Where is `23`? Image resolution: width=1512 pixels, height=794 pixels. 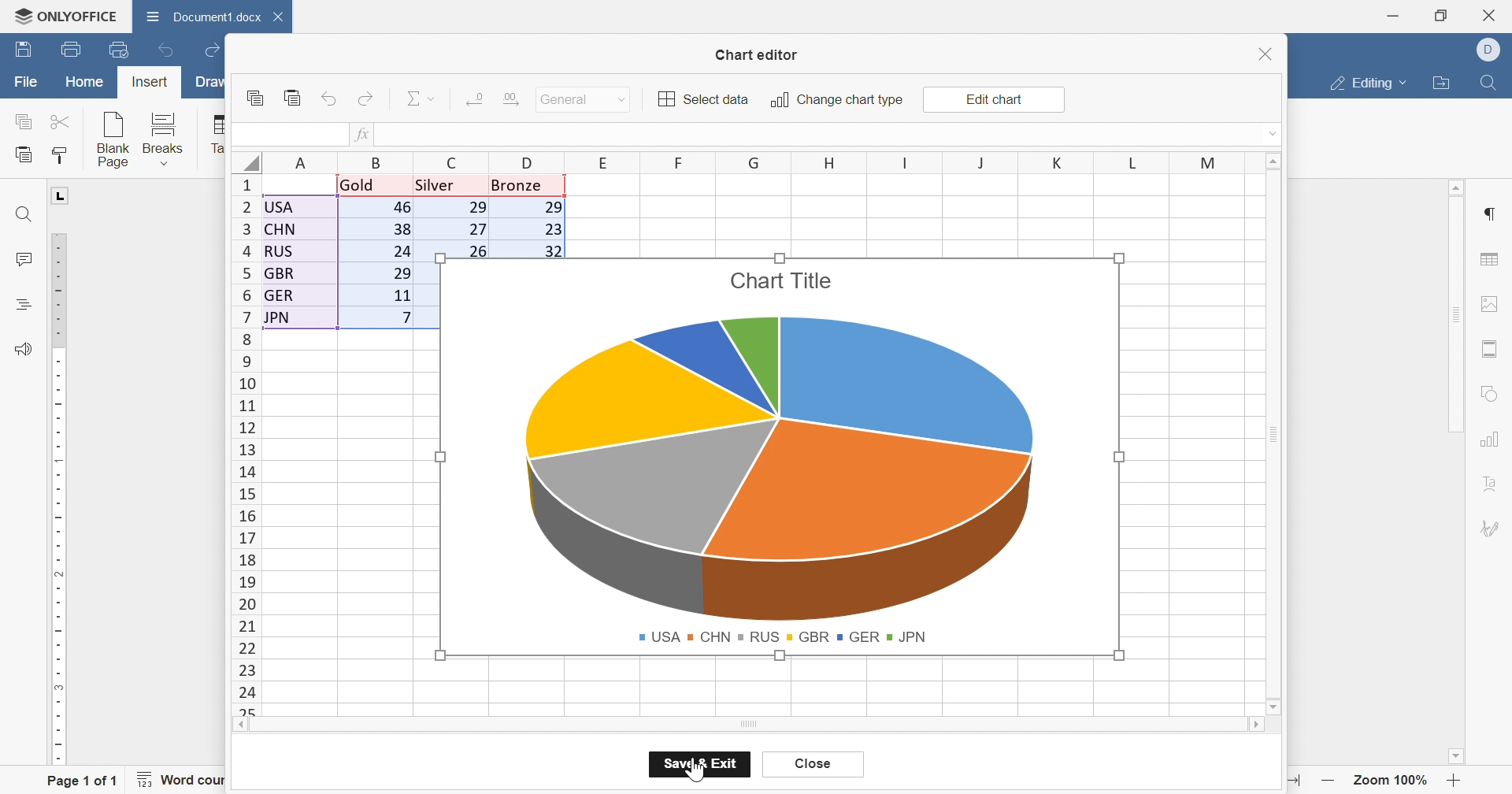
23 is located at coordinates (552, 230).